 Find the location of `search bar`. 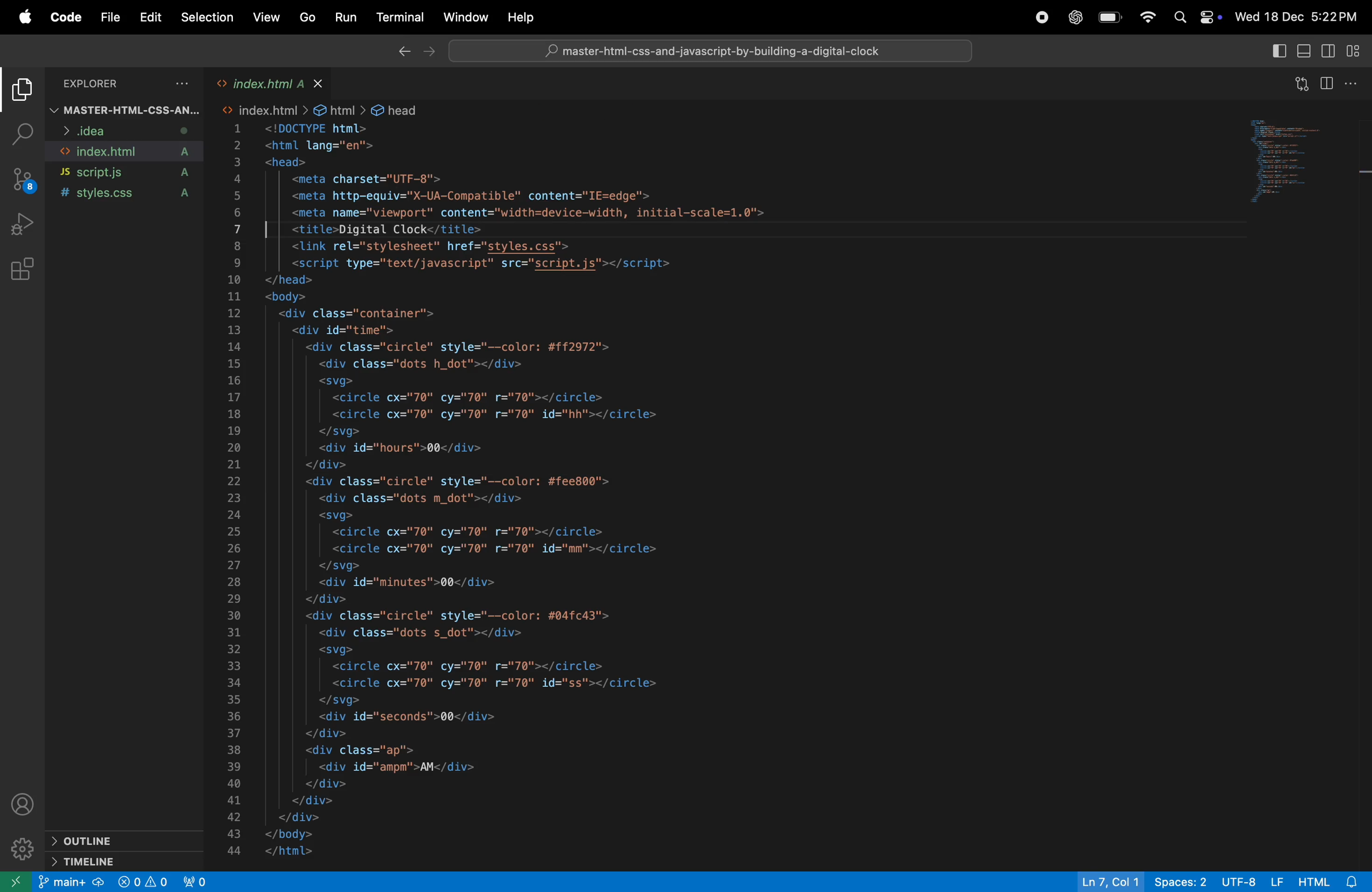

search bar is located at coordinates (715, 50).